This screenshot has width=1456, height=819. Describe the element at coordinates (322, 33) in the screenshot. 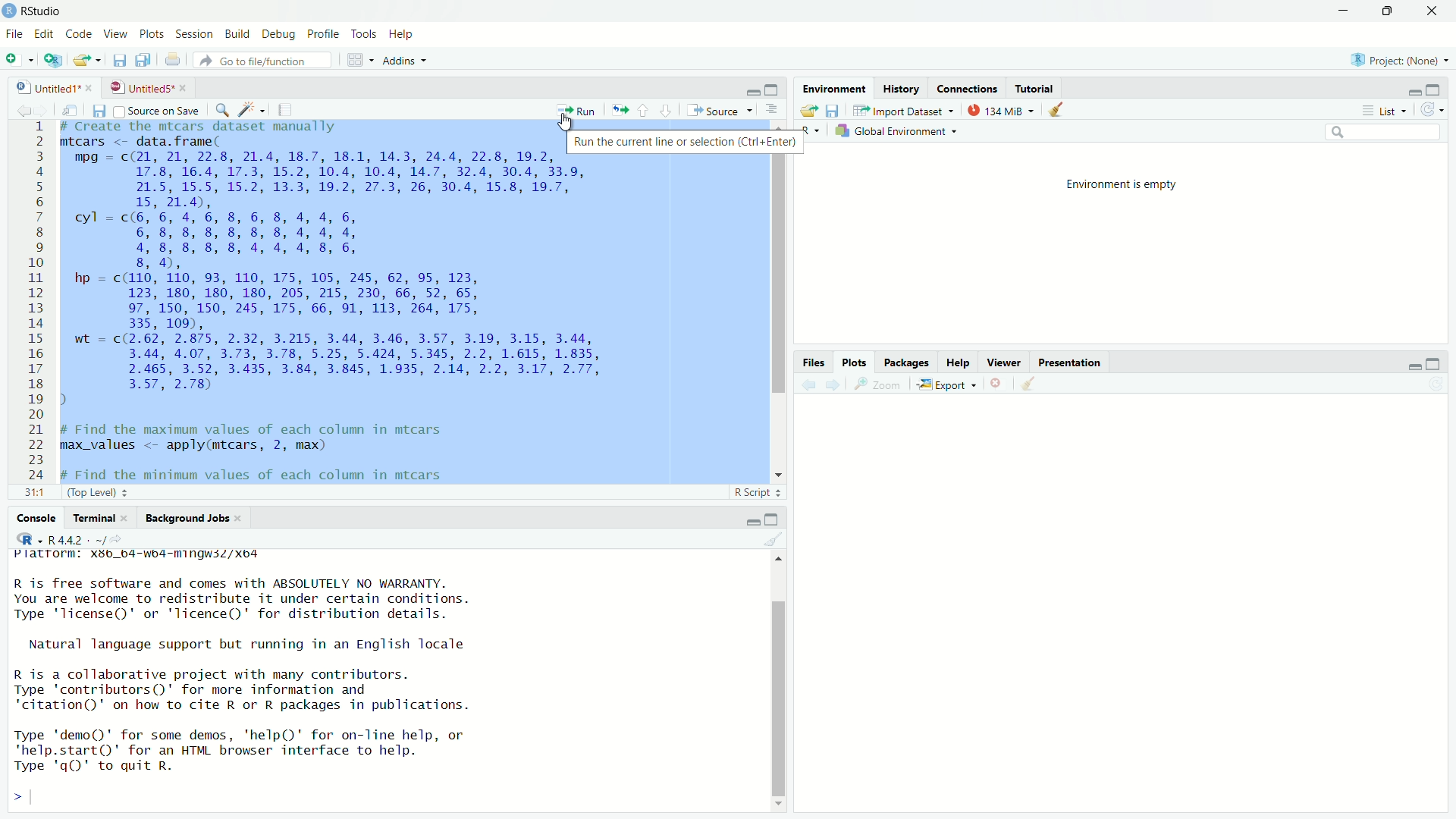

I see `Profile` at that location.